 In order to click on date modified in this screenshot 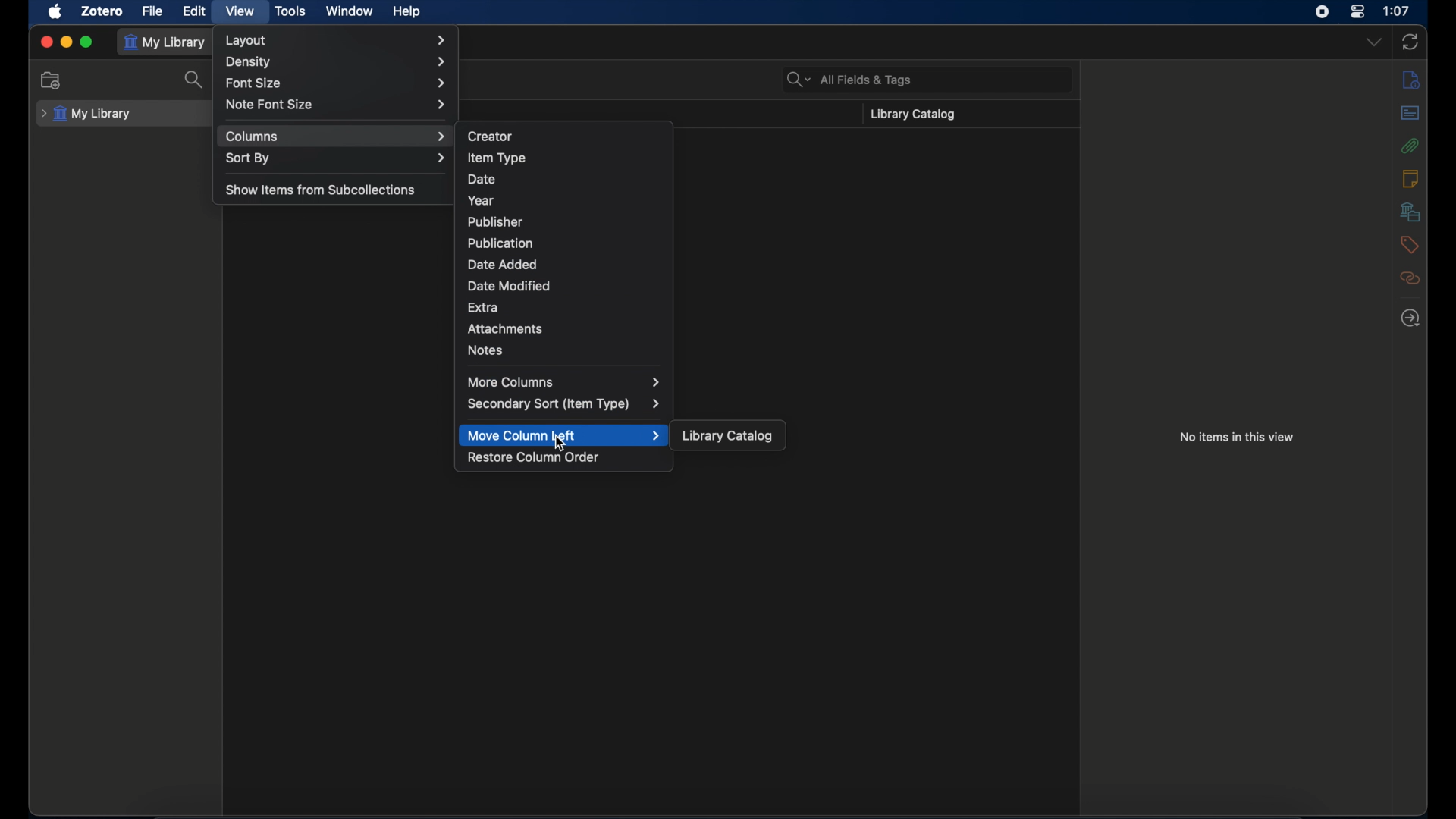, I will do `click(509, 286)`.